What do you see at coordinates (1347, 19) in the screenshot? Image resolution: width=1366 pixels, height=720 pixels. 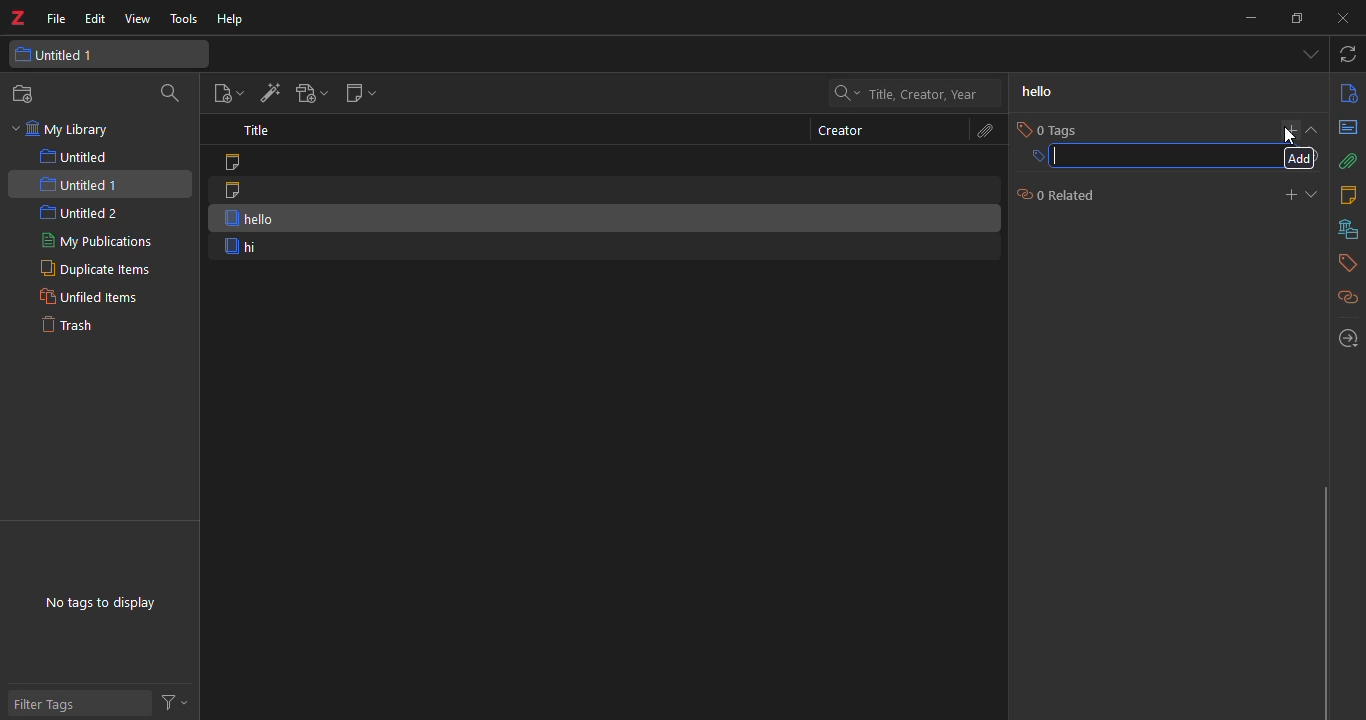 I see `close` at bounding box center [1347, 19].